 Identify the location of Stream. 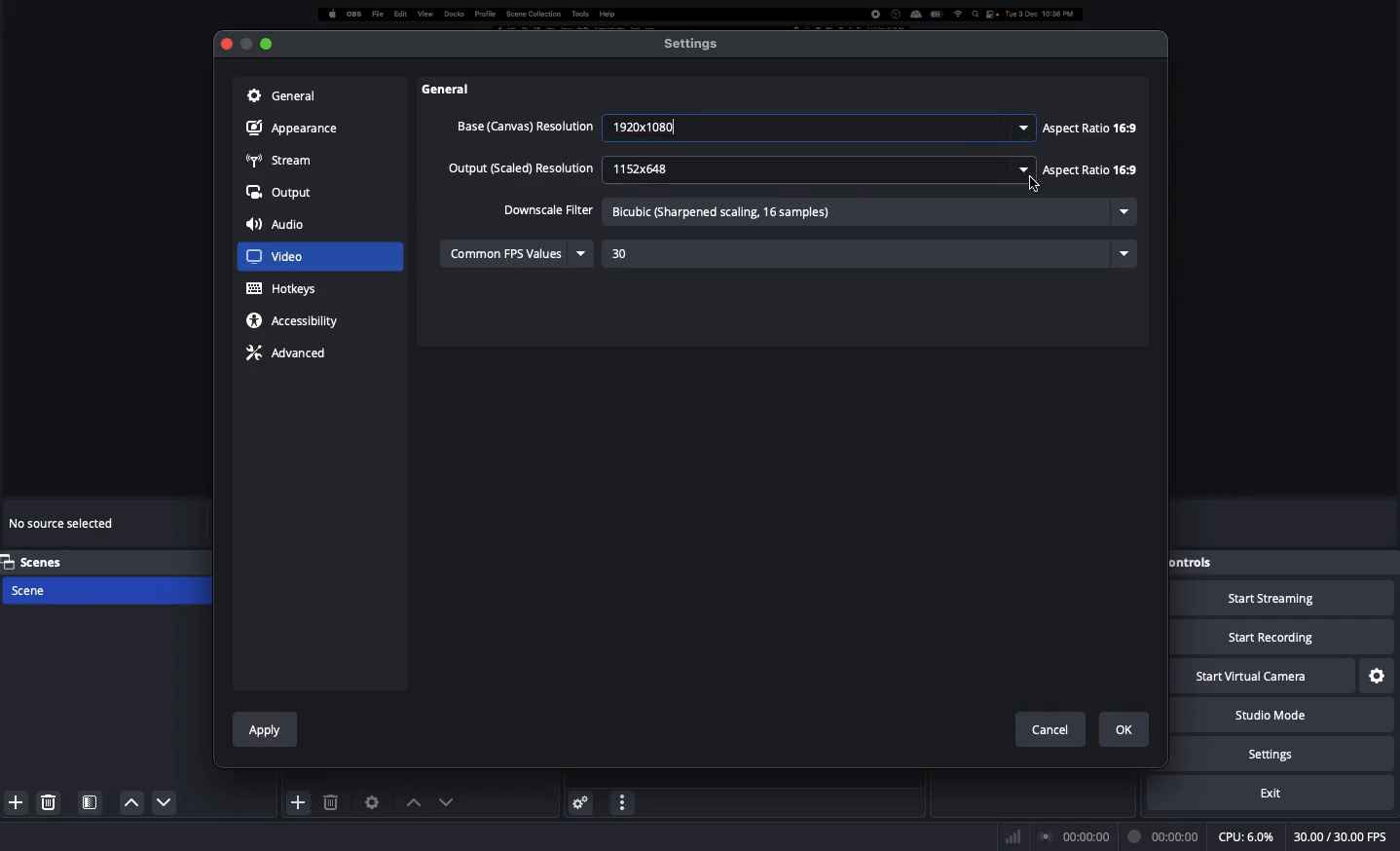
(279, 159).